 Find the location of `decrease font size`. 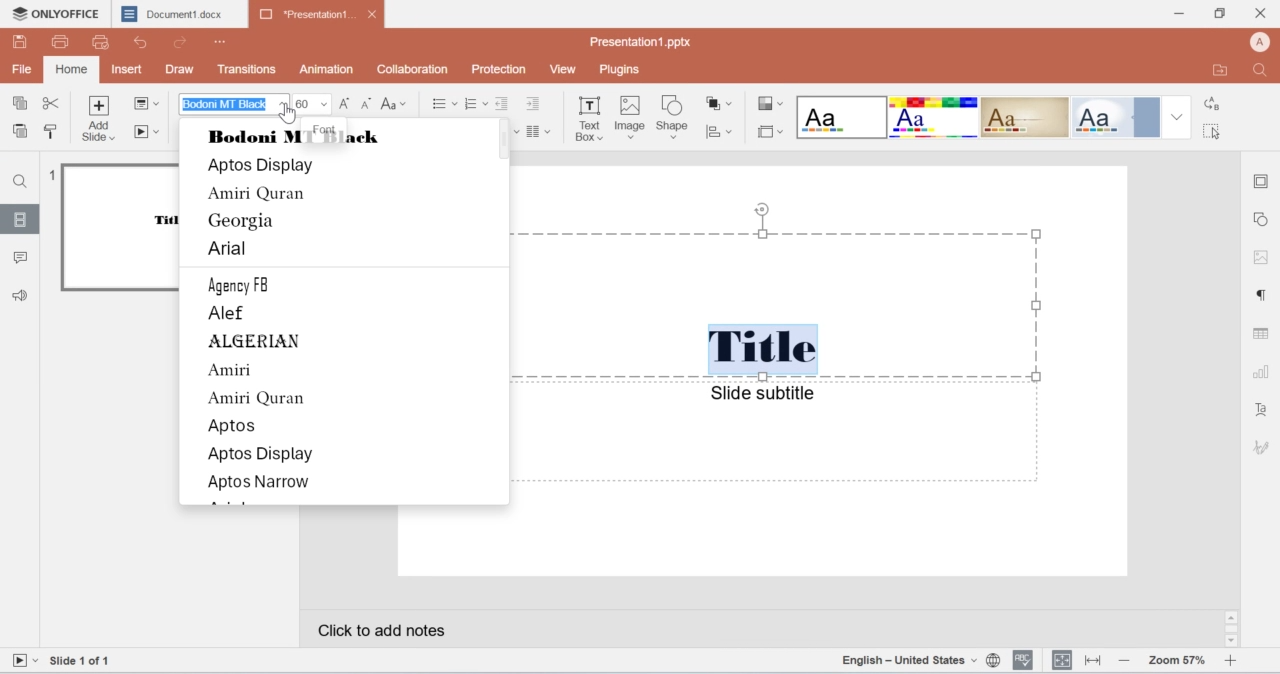

decrease font size is located at coordinates (366, 104).